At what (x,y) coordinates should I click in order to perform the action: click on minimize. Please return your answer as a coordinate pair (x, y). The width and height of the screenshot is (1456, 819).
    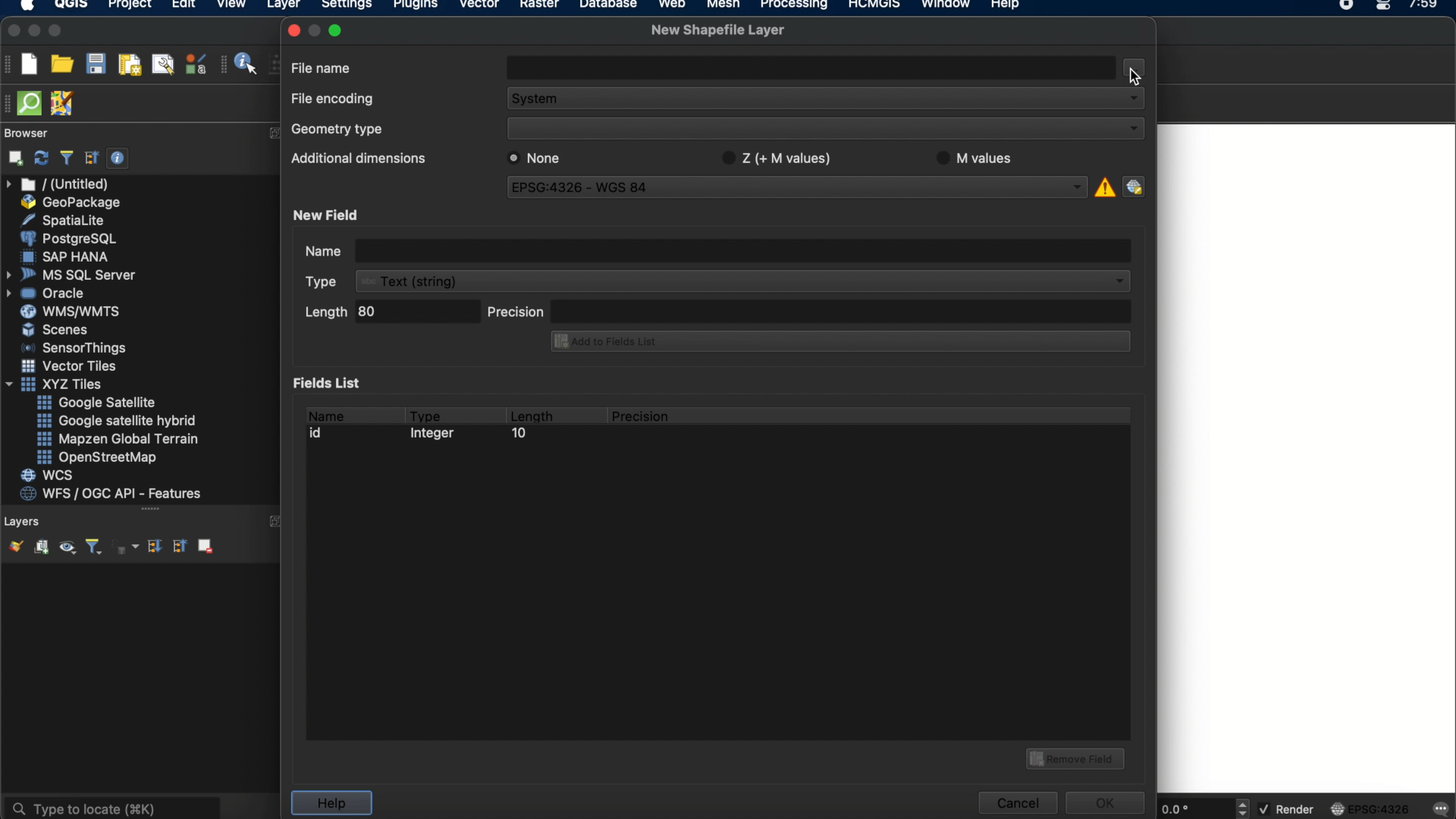
    Looking at the image, I should click on (34, 31).